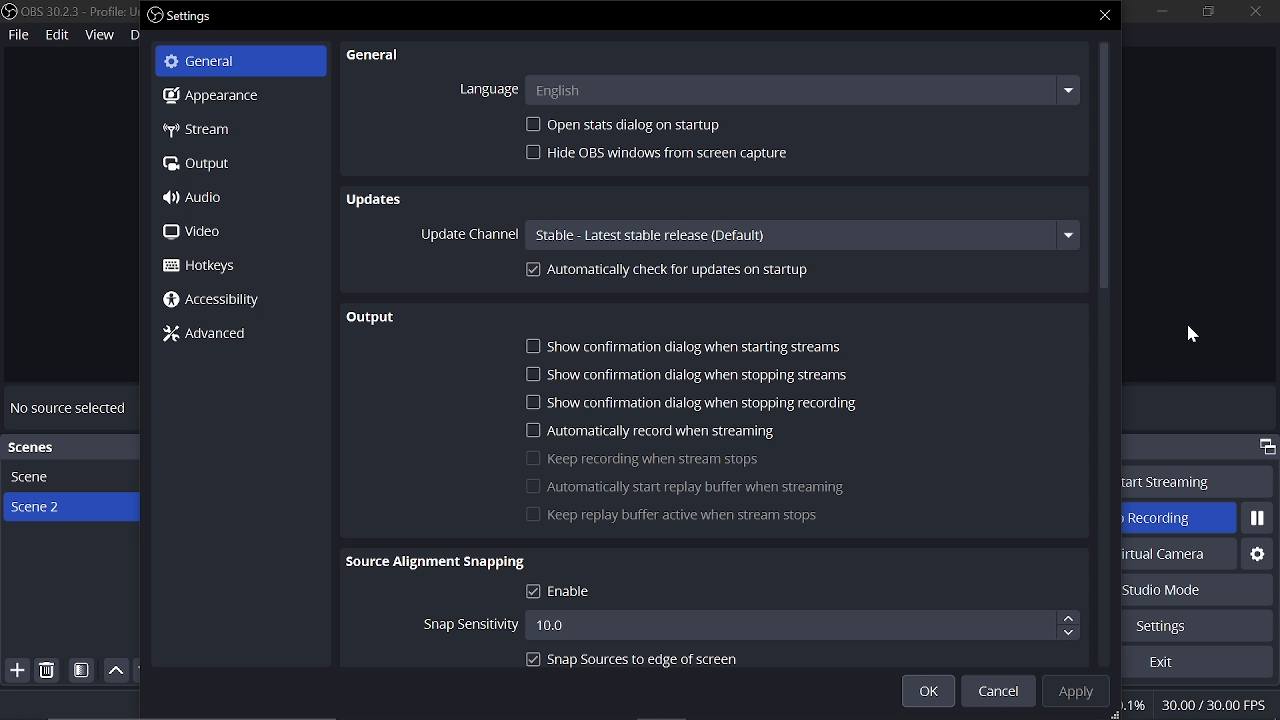 The image size is (1280, 720). Describe the element at coordinates (1158, 11) in the screenshot. I see `minimize` at that location.